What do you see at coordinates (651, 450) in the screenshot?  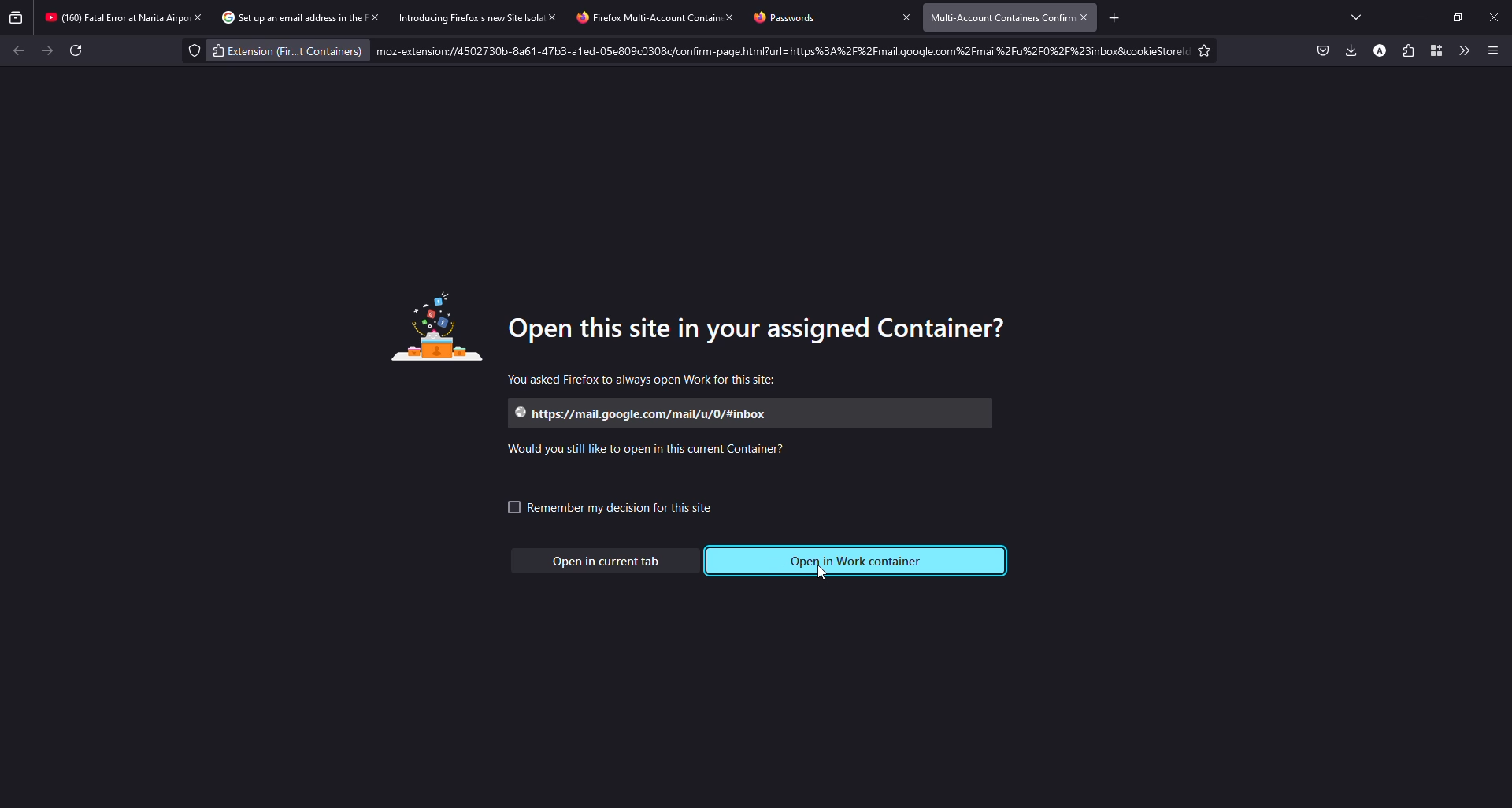 I see `Would you still like to open in this current Container?` at bounding box center [651, 450].